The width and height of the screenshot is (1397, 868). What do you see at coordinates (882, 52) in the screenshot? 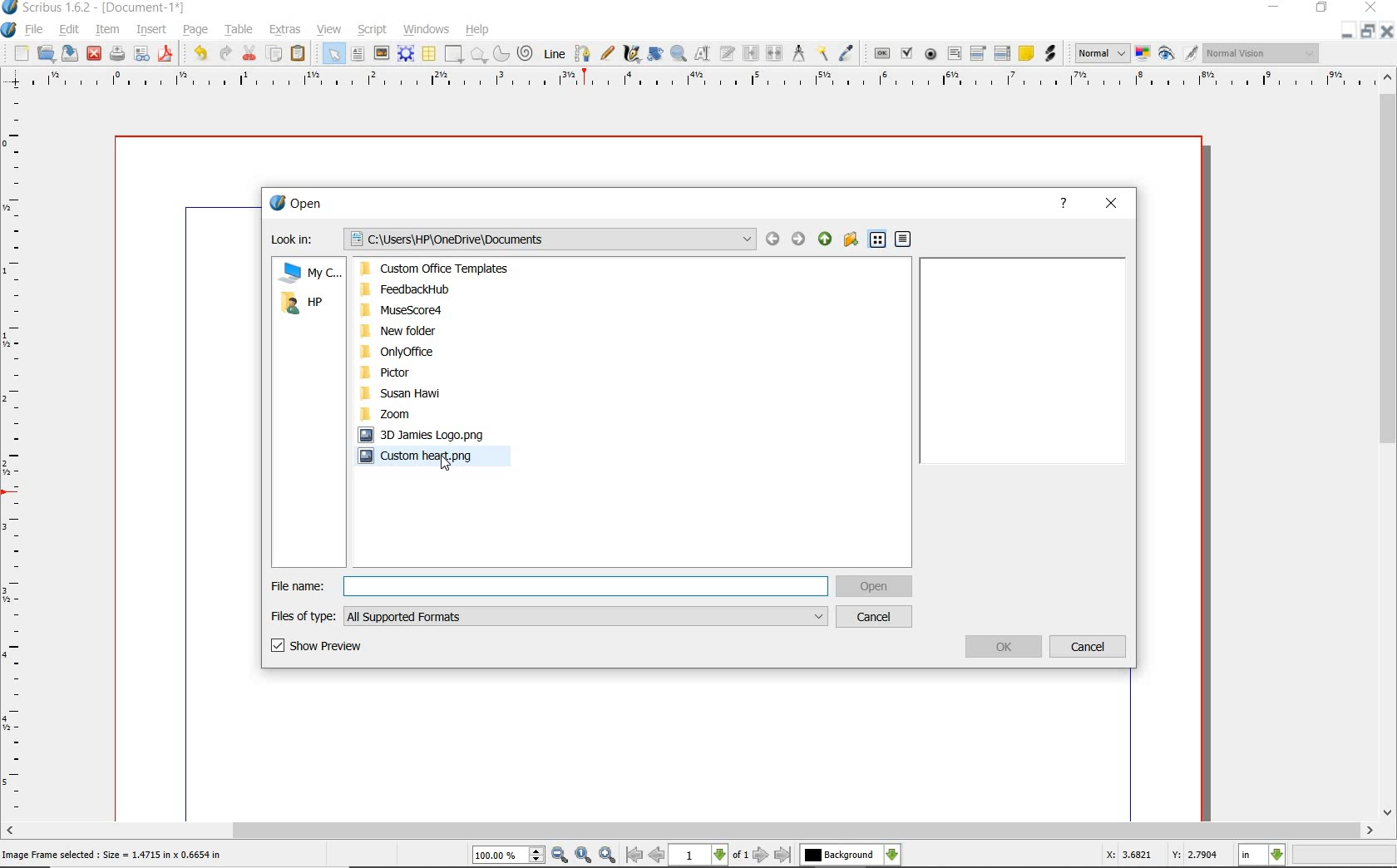
I see `pdf push button` at bounding box center [882, 52].